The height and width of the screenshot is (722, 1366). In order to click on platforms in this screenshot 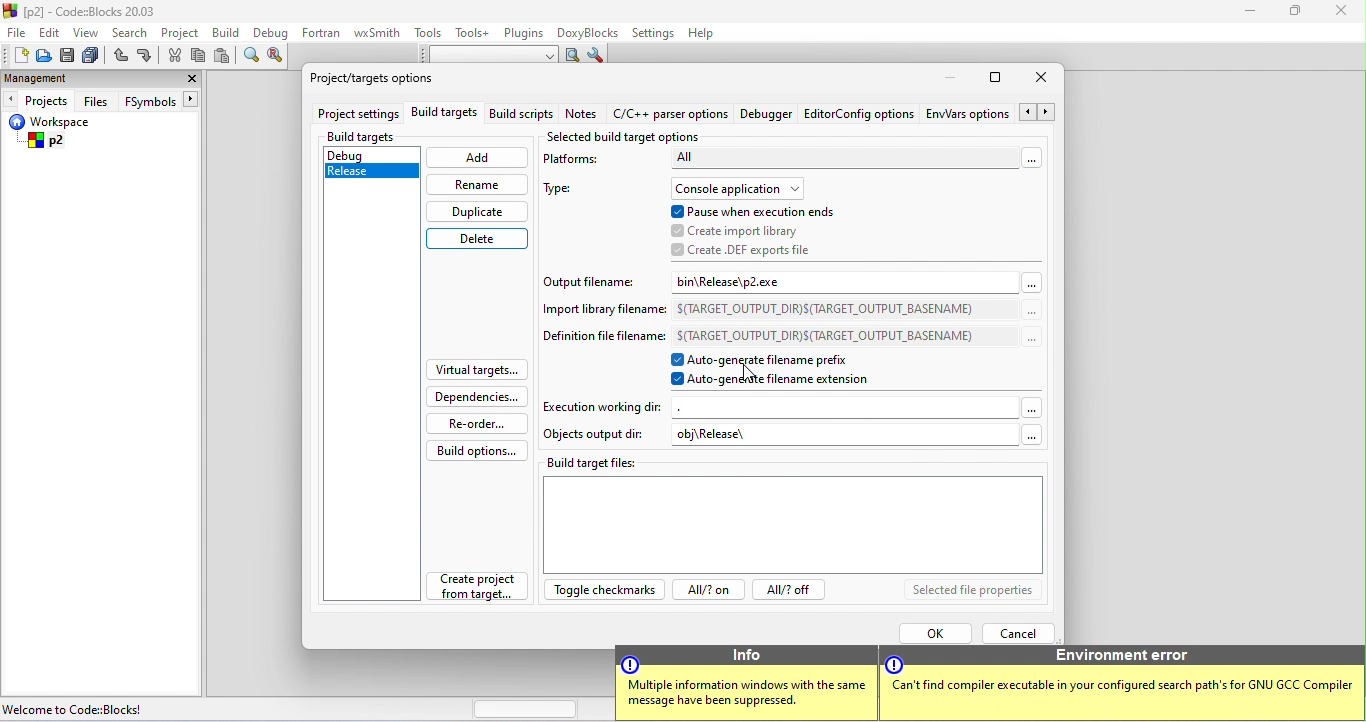, I will do `click(584, 162)`.